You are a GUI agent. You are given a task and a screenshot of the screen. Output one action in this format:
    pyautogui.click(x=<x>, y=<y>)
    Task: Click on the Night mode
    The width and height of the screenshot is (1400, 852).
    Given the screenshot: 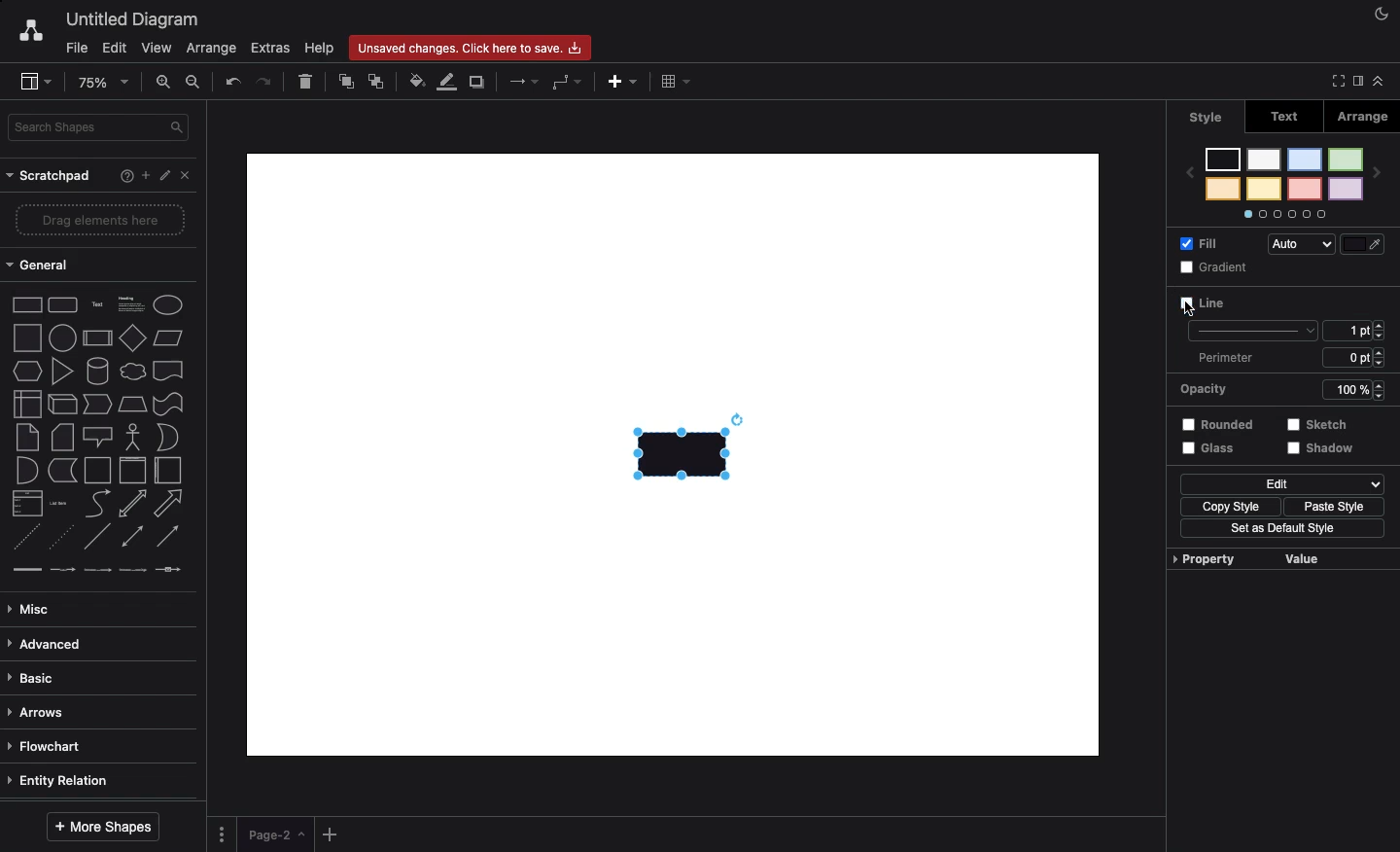 What is the action you would take?
    pyautogui.click(x=1380, y=13)
    